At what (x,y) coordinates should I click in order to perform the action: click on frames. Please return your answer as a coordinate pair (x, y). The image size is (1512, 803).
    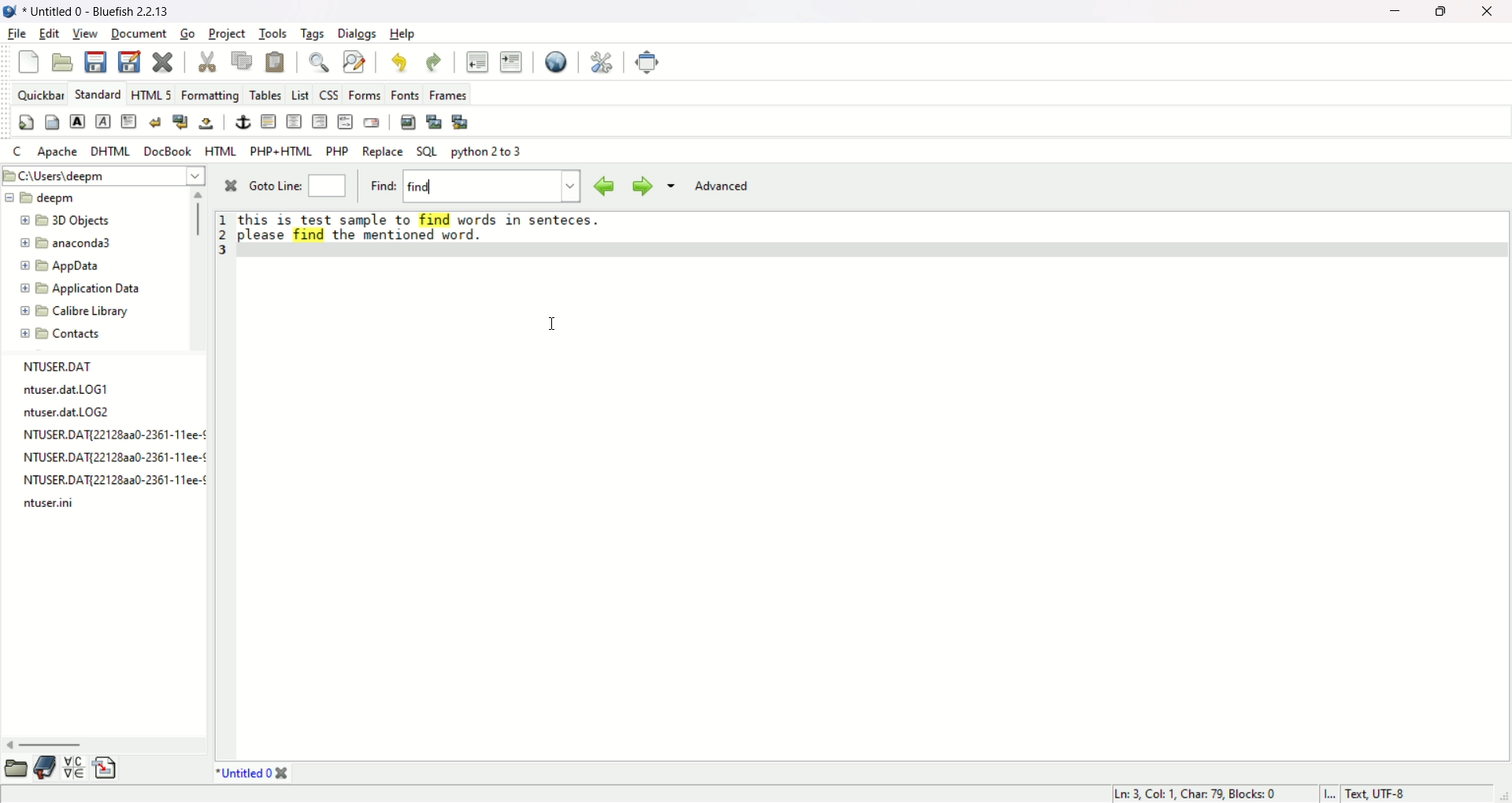
    Looking at the image, I should click on (448, 94).